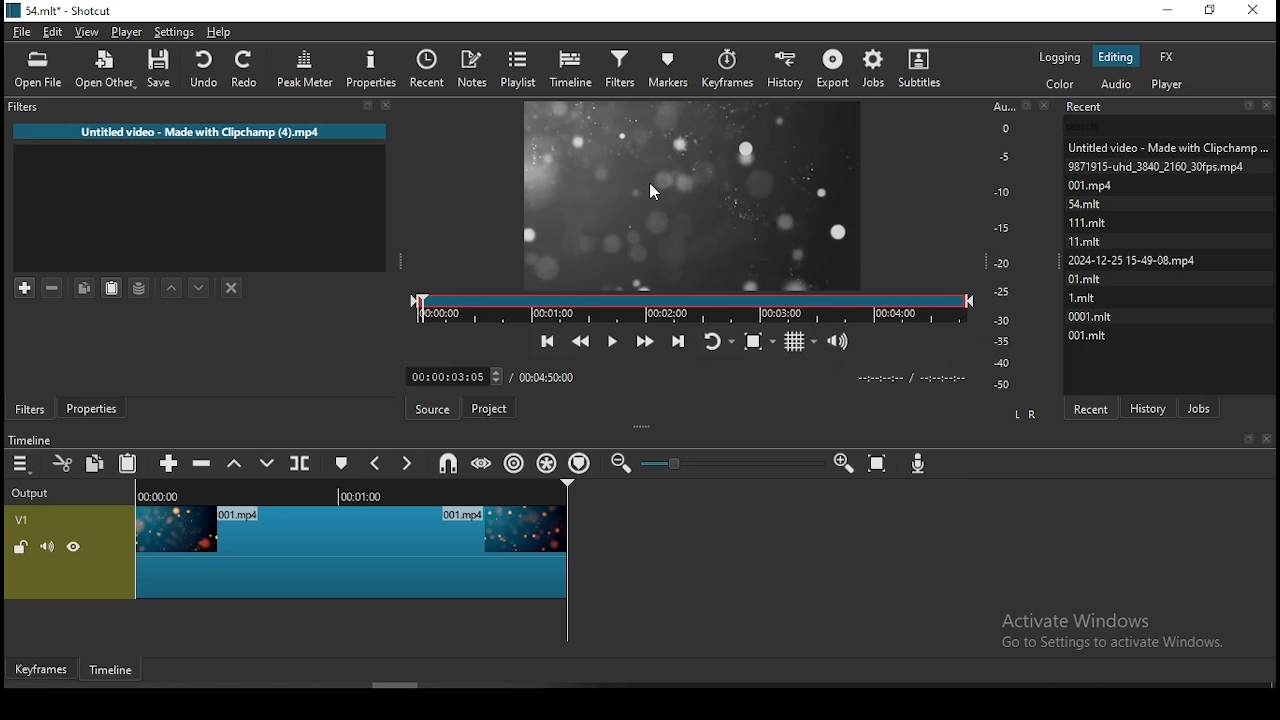 Image resolution: width=1280 pixels, height=720 pixels. Describe the element at coordinates (107, 669) in the screenshot. I see `timeline` at that location.